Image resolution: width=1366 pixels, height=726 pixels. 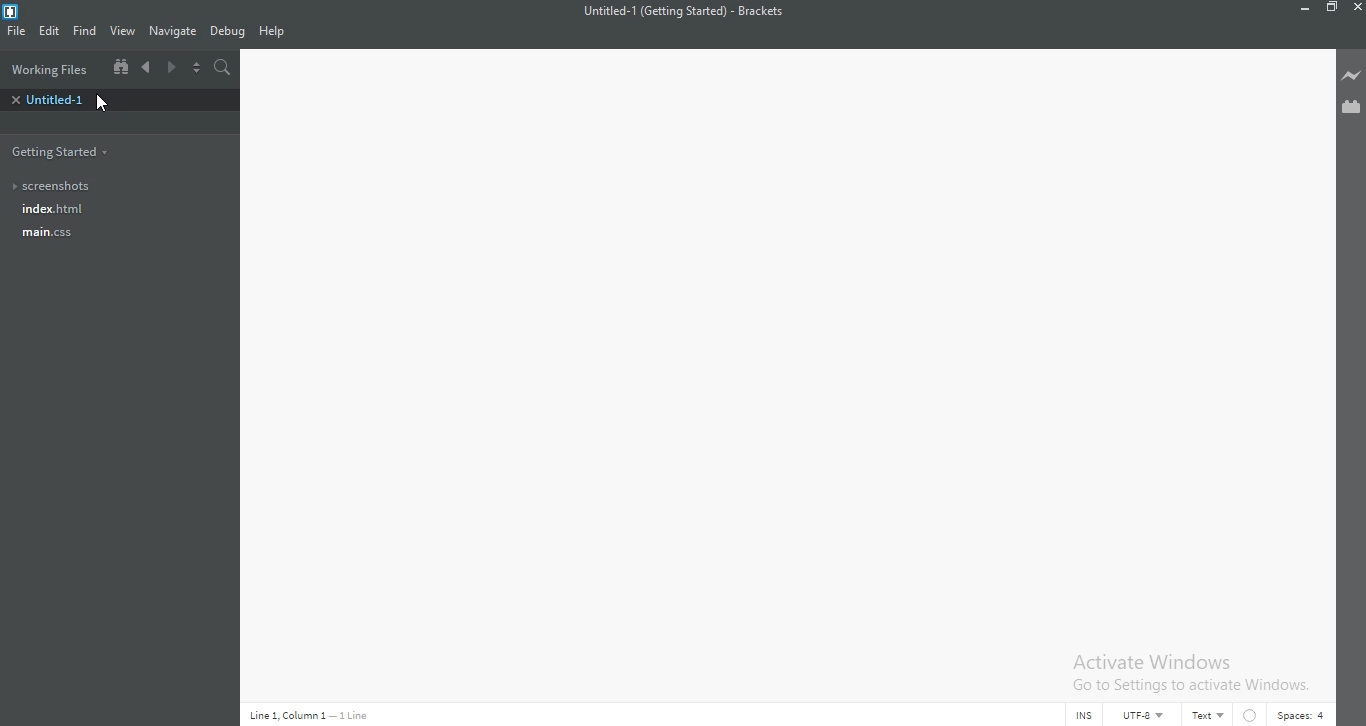 What do you see at coordinates (45, 235) in the screenshot?
I see `main.css` at bounding box center [45, 235].